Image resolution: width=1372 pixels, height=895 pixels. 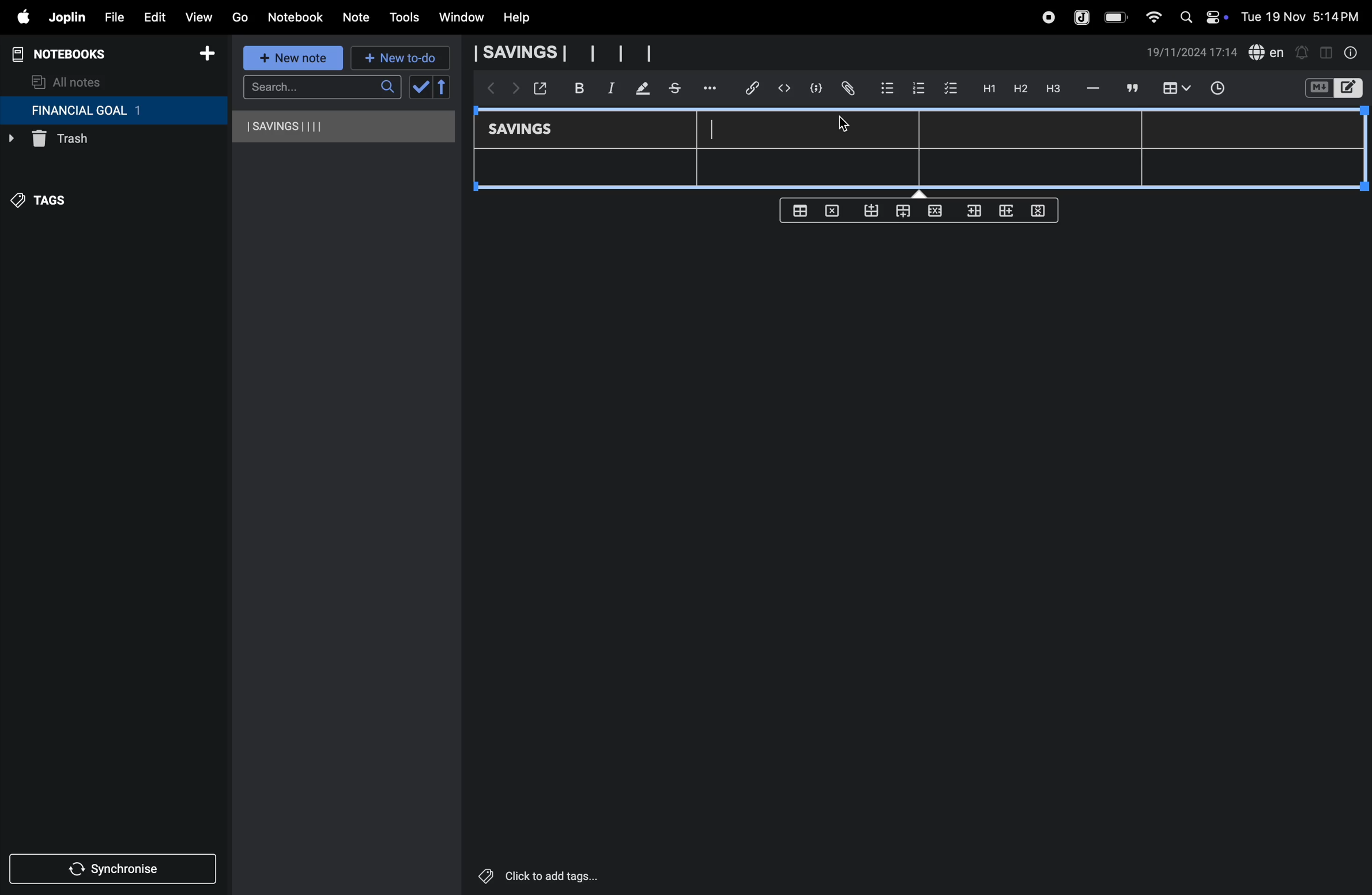 What do you see at coordinates (835, 210) in the screenshot?
I see `delete` at bounding box center [835, 210].